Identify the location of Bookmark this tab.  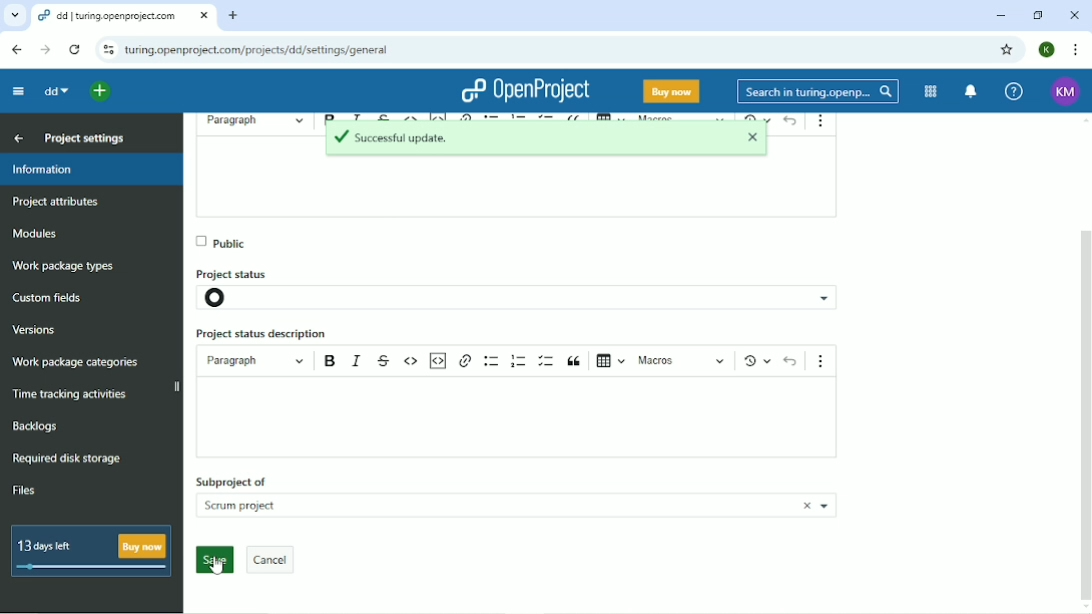
(1007, 50).